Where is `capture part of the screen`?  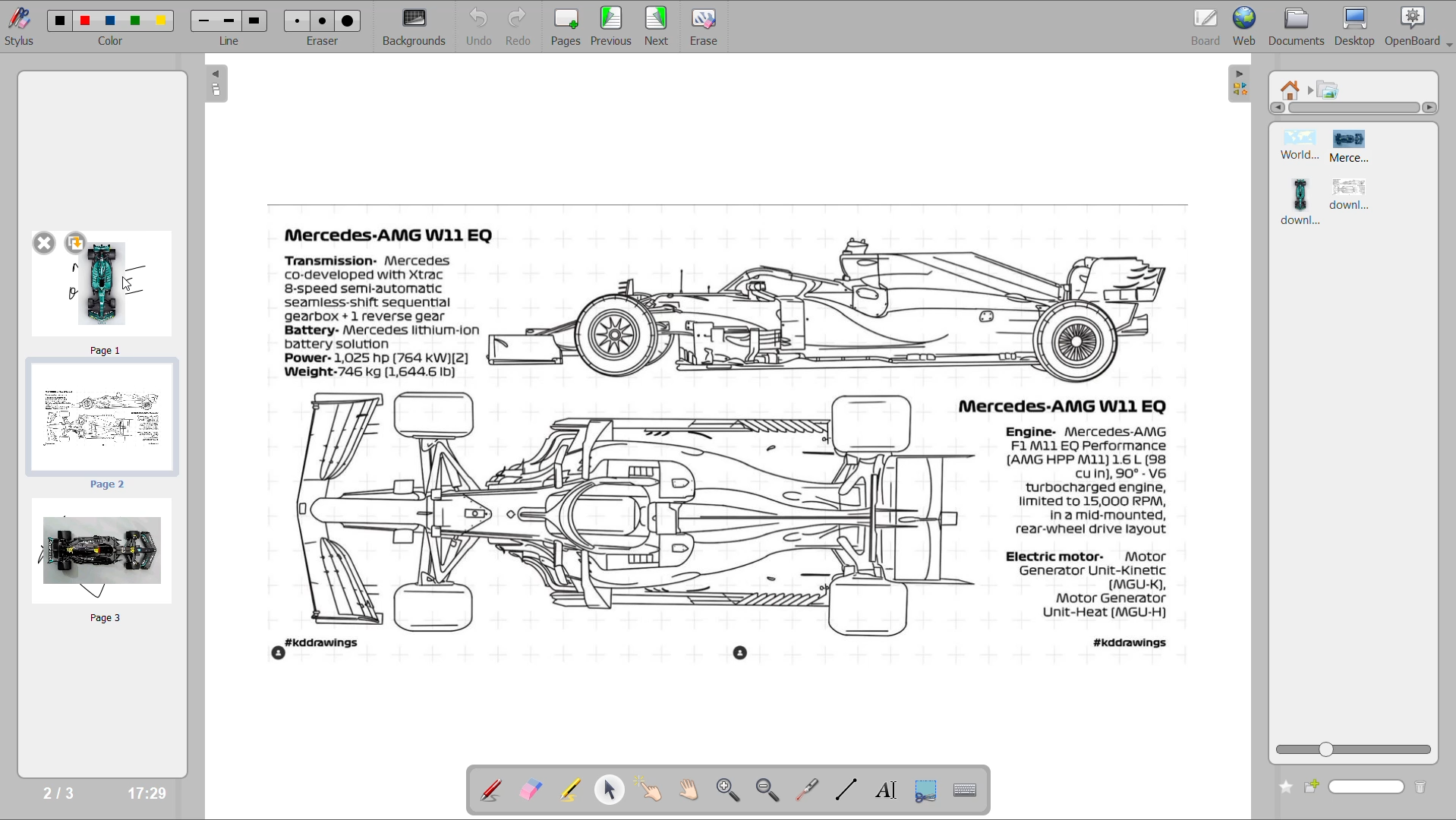 capture part of the screen is located at coordinates (928, 790).